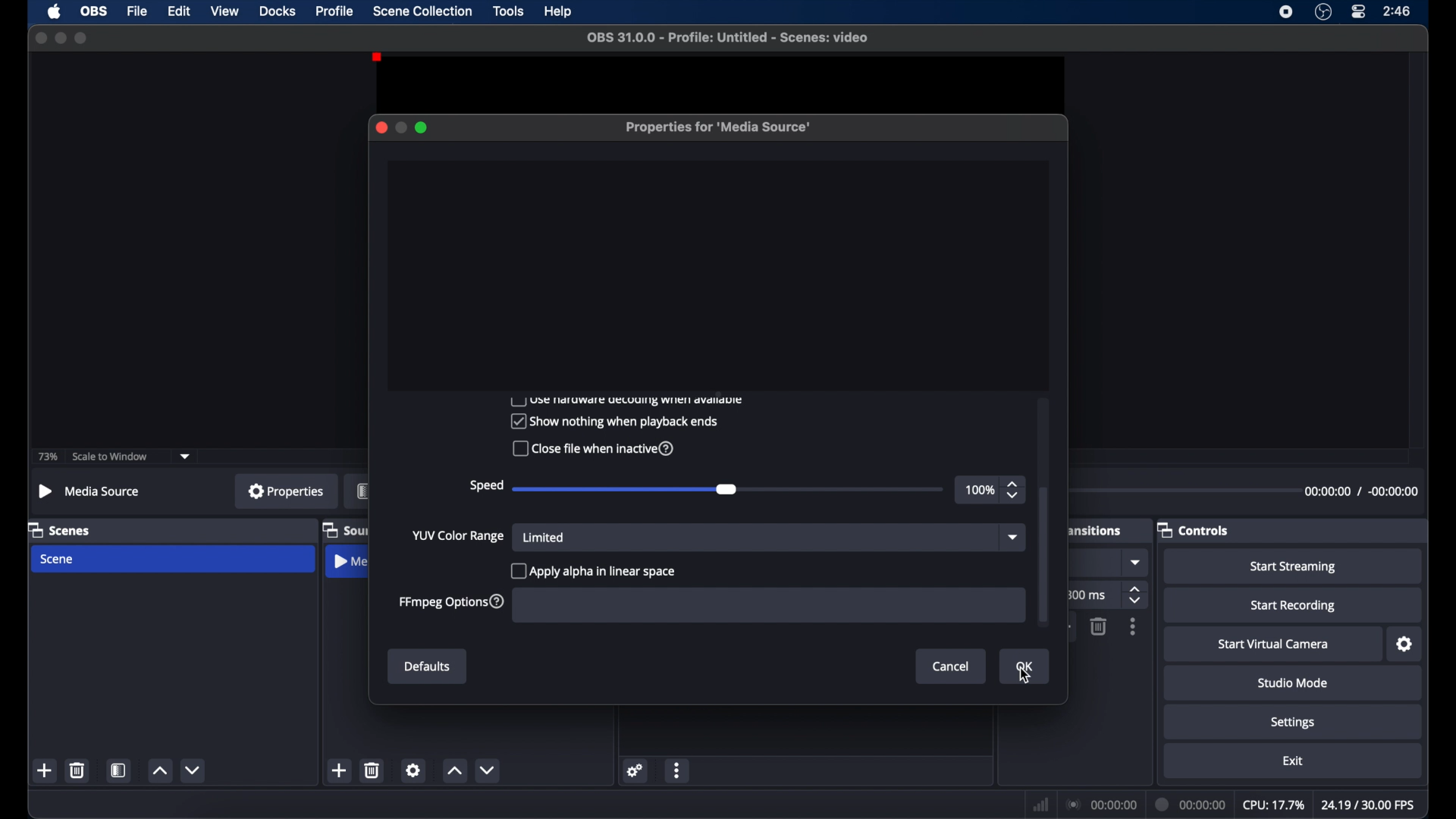  Describe the element at coordinates (336, 11) in the screenshot. I see `profile` at that location.